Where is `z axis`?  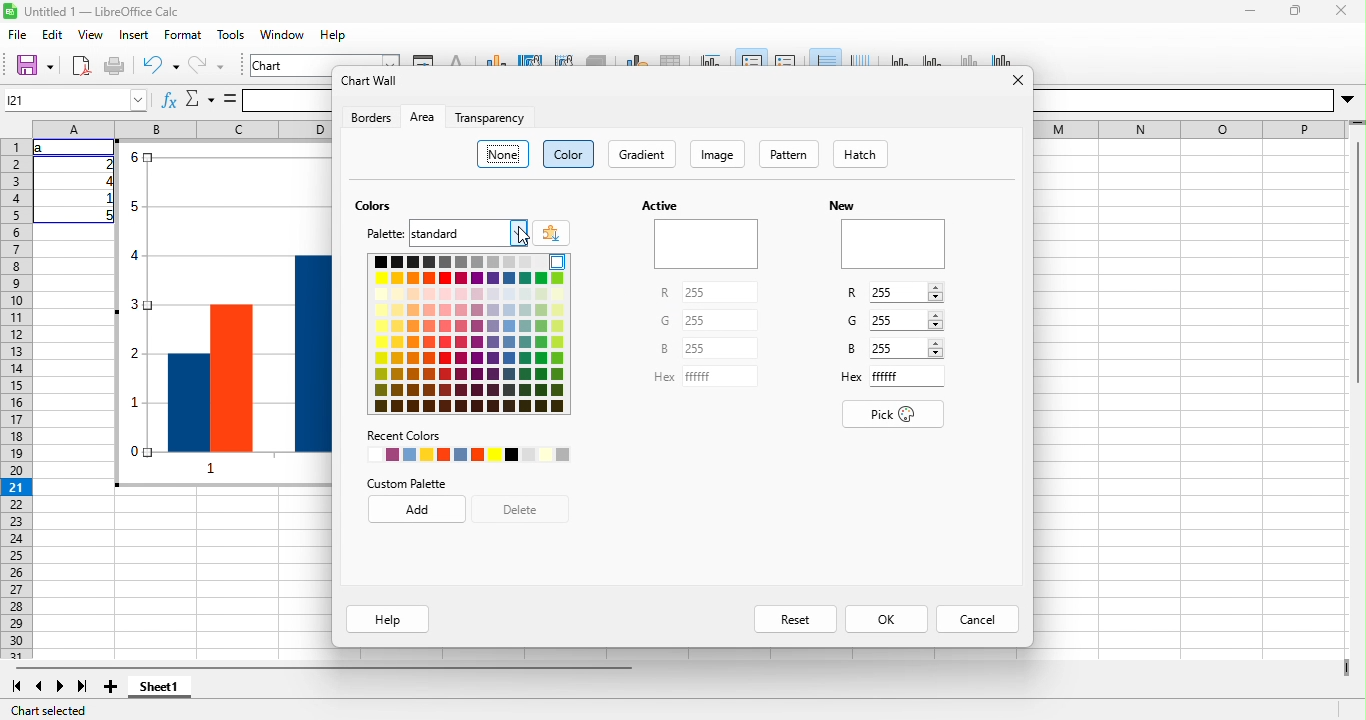
z axis is located at coordinates (967, 58).